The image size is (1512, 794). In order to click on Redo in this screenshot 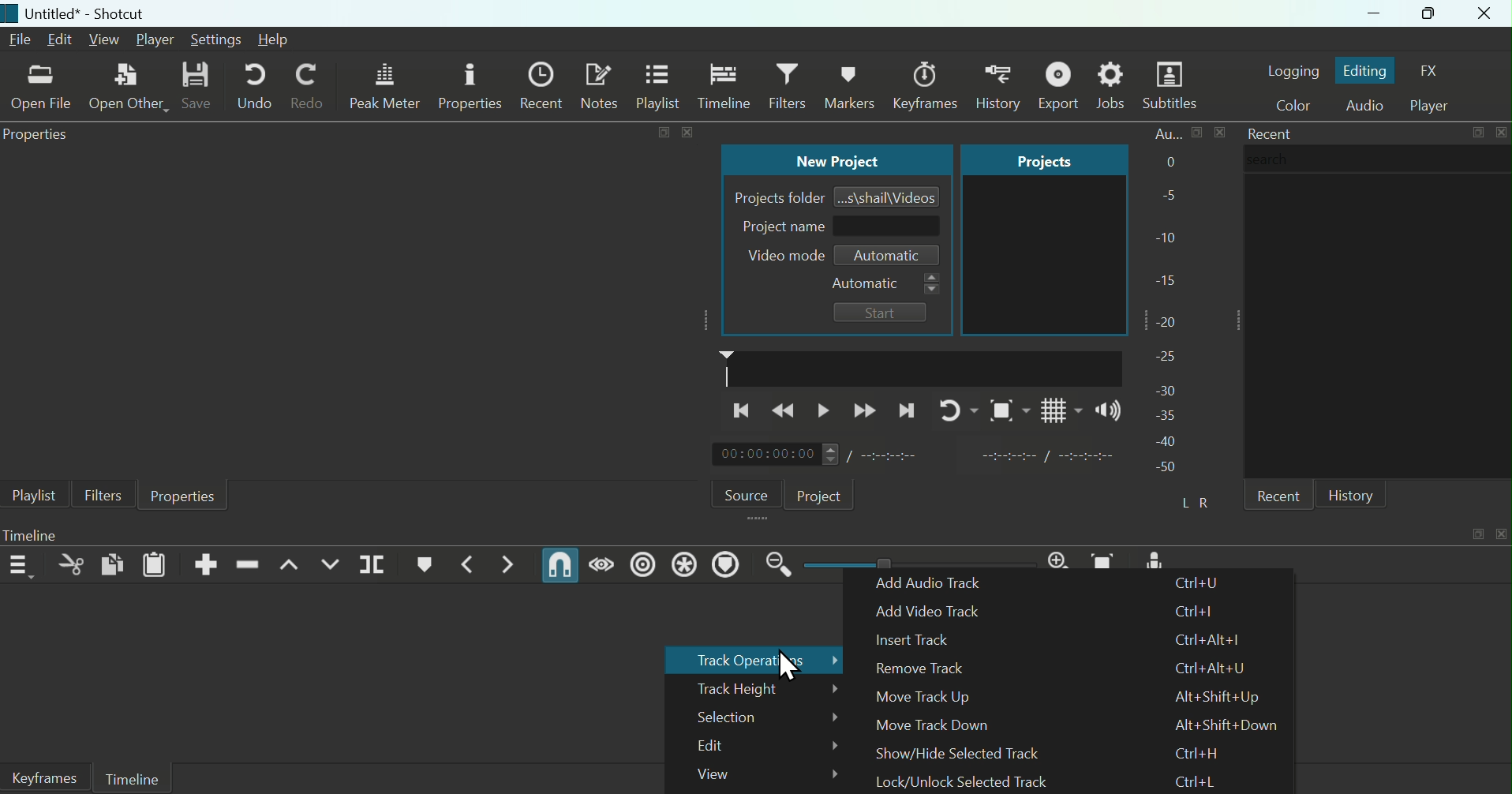, I will do `click(313, 89)`.